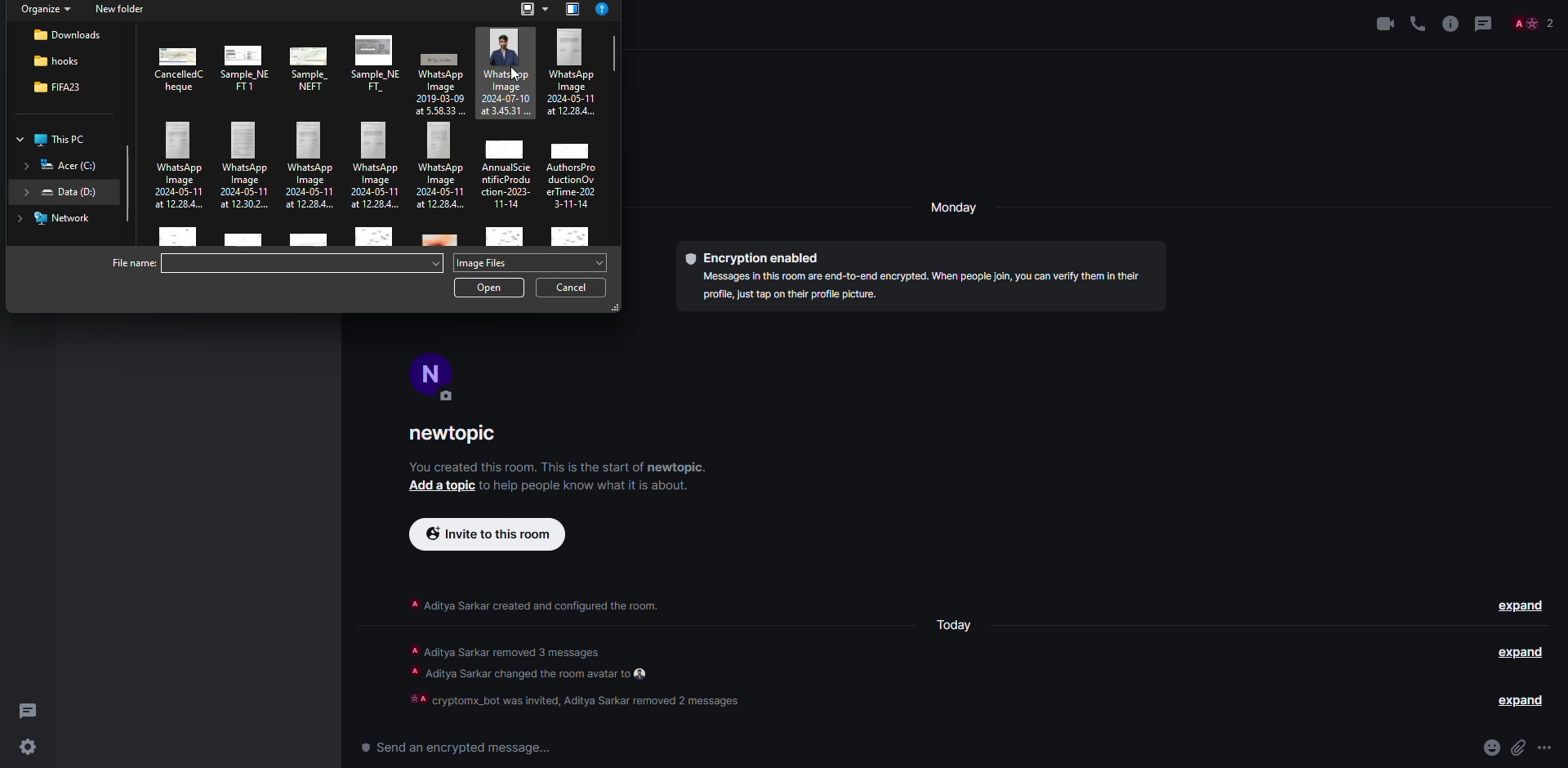 Image resolution: width=1568 pixels, height=768 pixels. Describe the element at coordinates (604, 10) in the screenshot. I see `info` at that location.